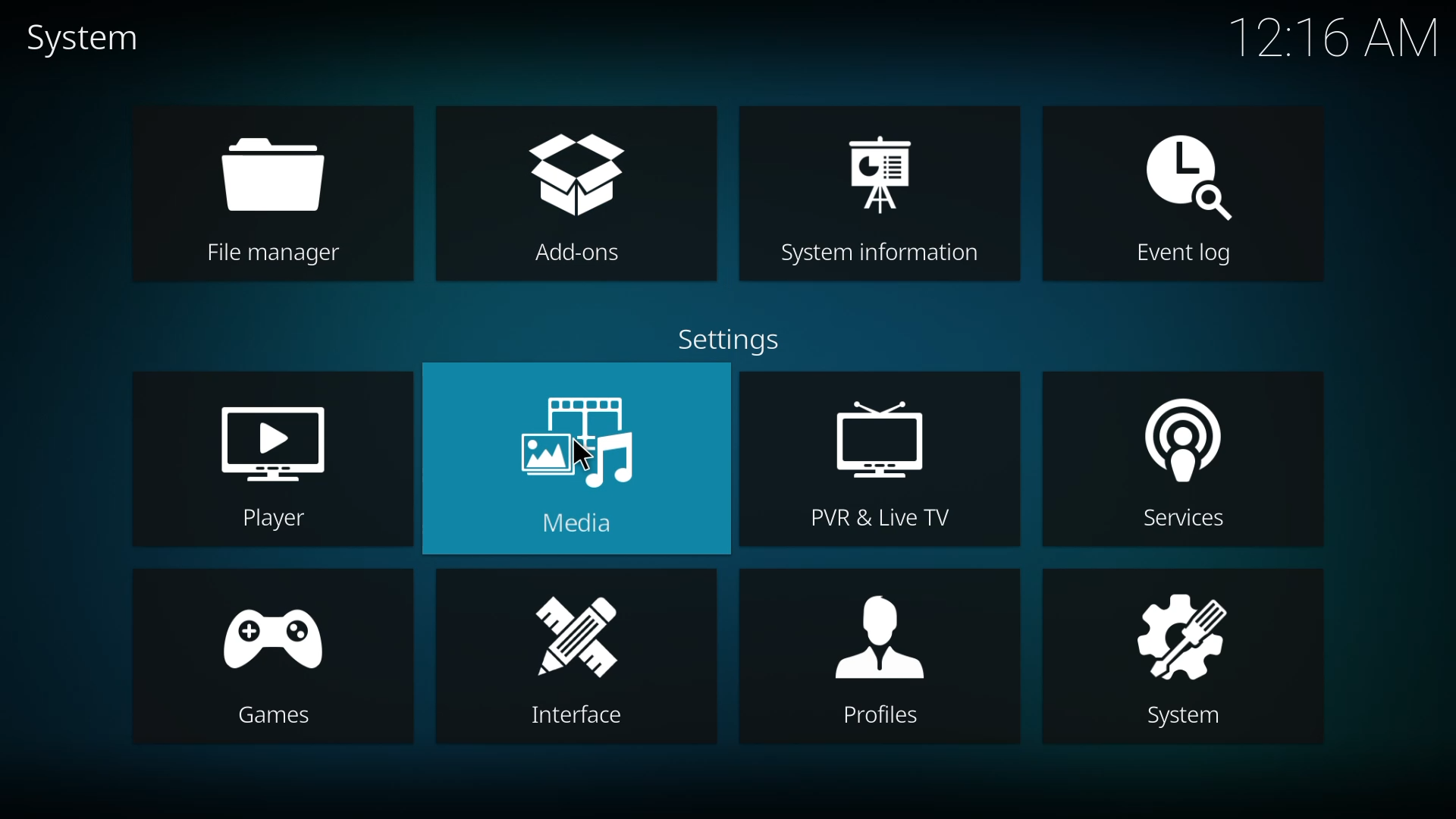  I want to click on  Event log, so click(1175, 258).